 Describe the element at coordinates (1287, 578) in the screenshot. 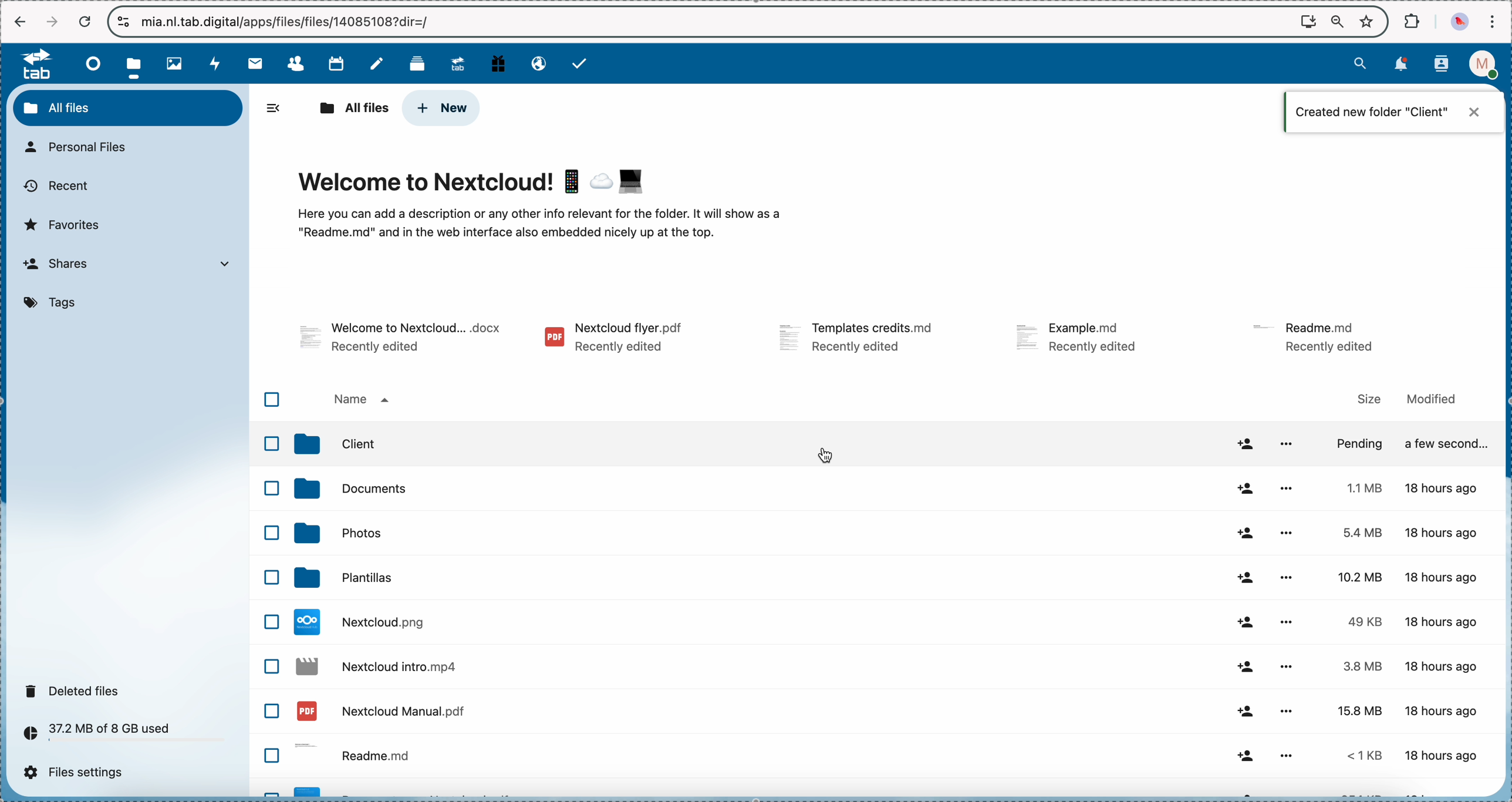

I see `more options` at that location.